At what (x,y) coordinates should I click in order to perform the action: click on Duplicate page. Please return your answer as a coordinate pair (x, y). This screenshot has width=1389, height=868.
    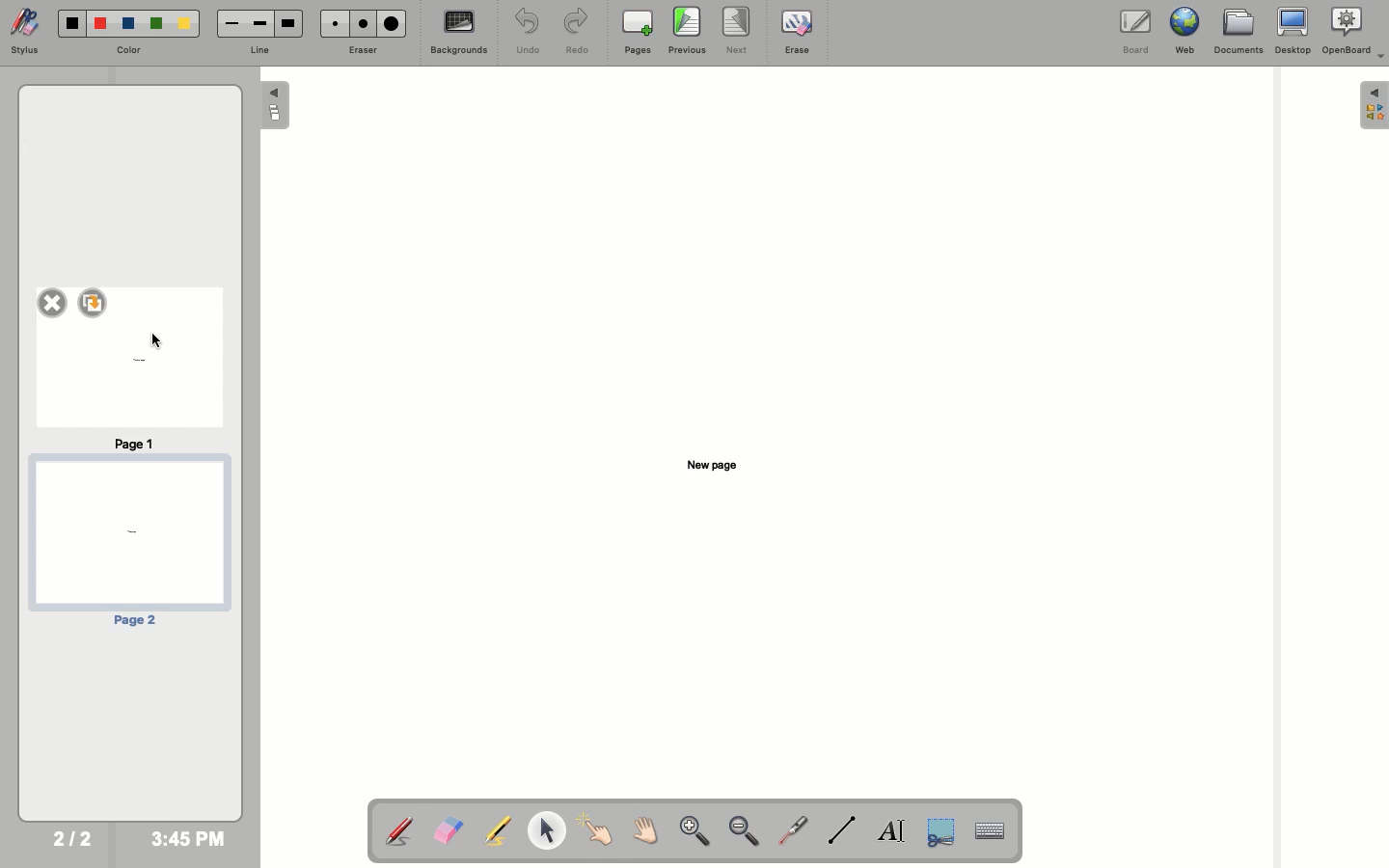
    Looking at the image, I should click on (95, 303).